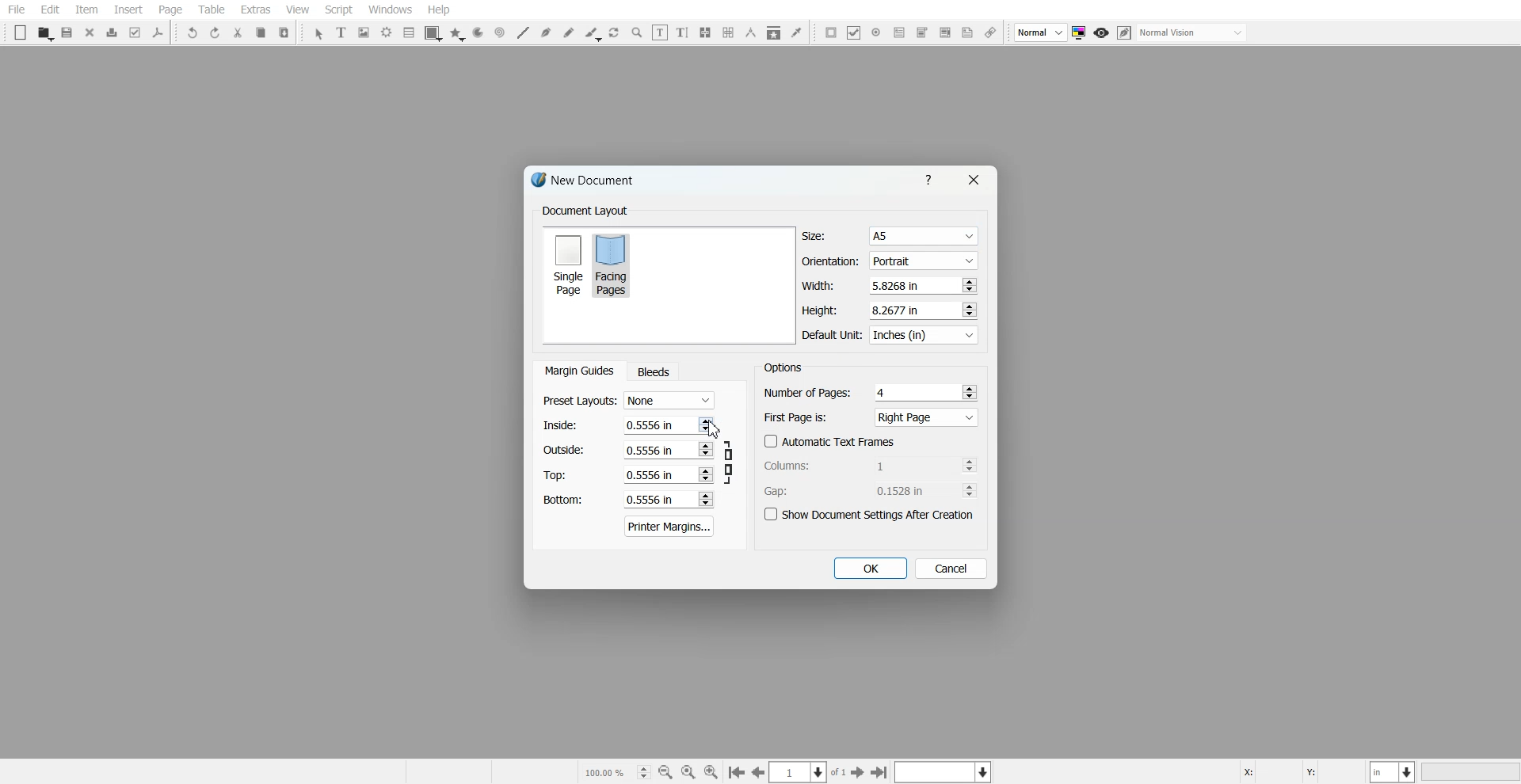 The image size is (1521, 784). I want to click on Size, so click(890, 236).